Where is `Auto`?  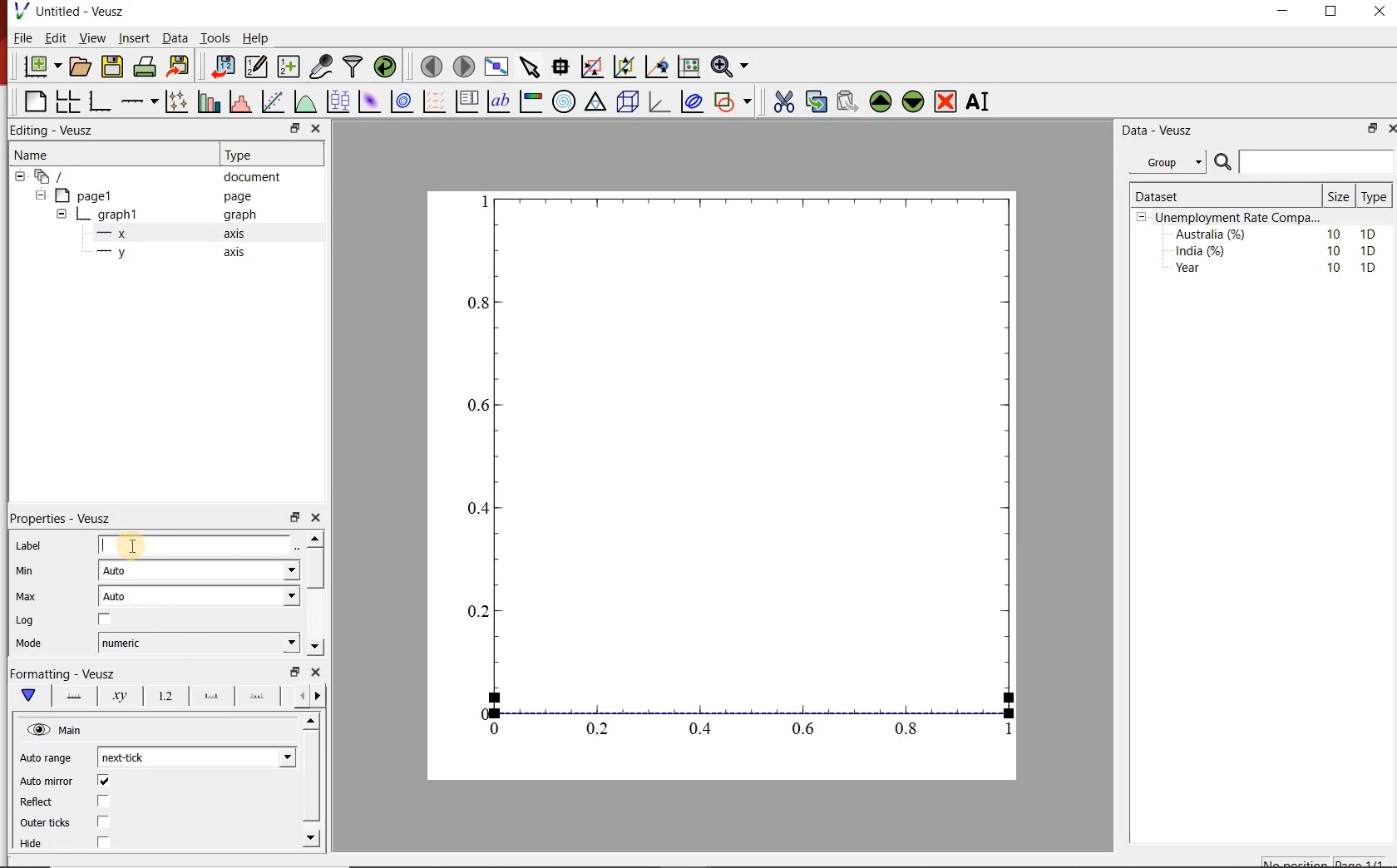 Auto is located at coordinates (200, 596).